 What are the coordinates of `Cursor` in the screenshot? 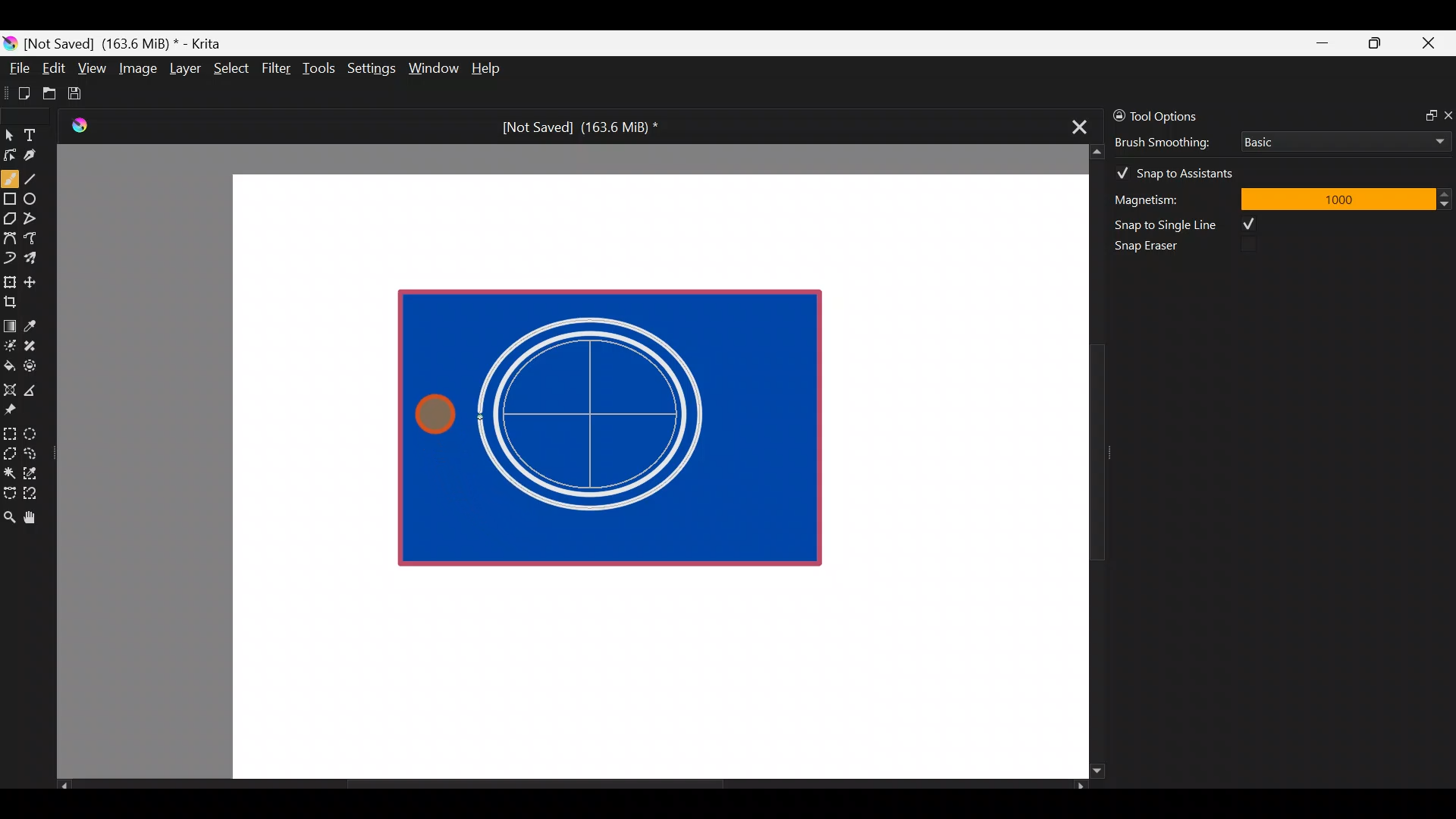 It's located at (431, 413).